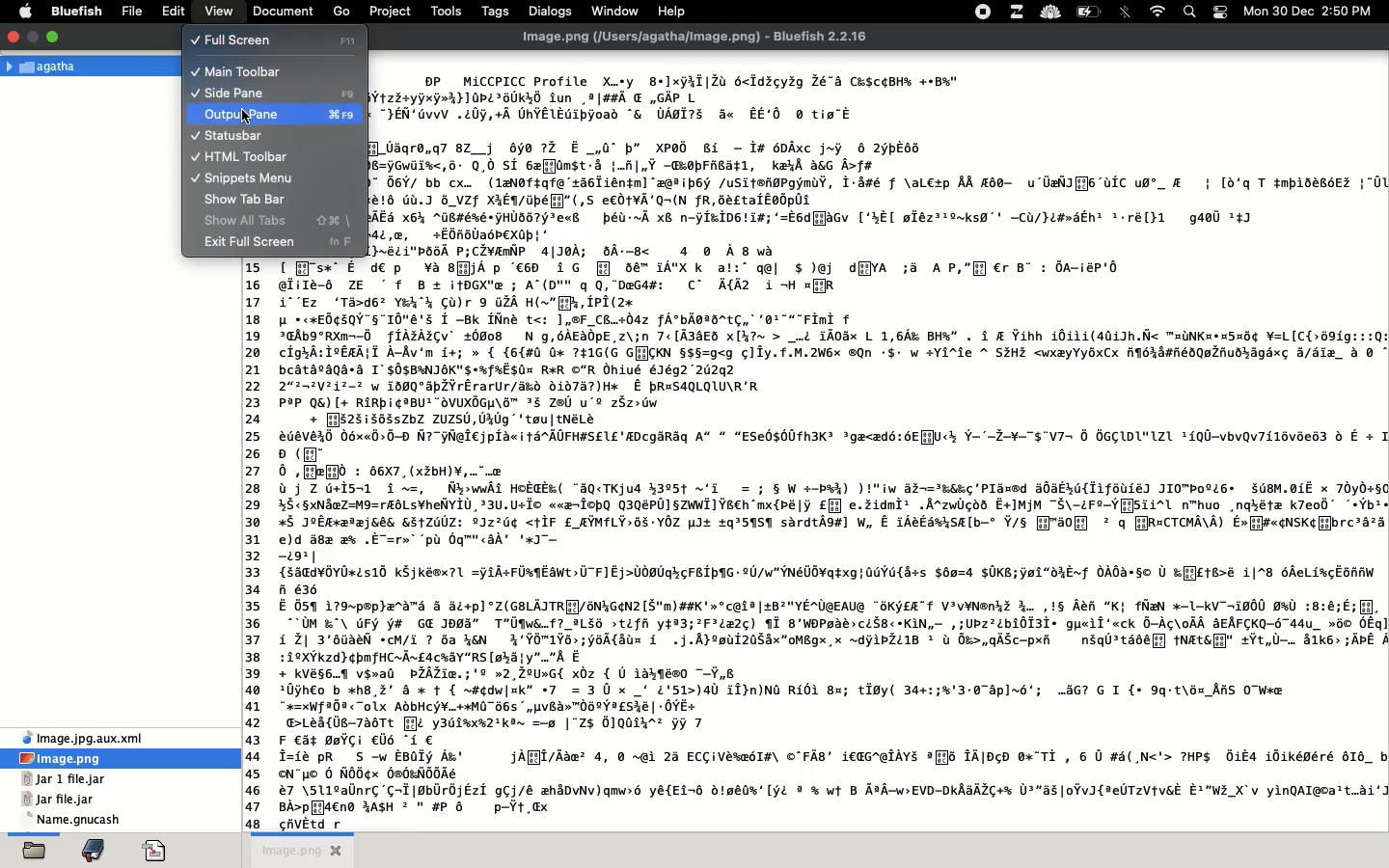 Image resolution: width=1389 pixels, height=868 pixels. I want to click on dialogs, so click(551, 11).